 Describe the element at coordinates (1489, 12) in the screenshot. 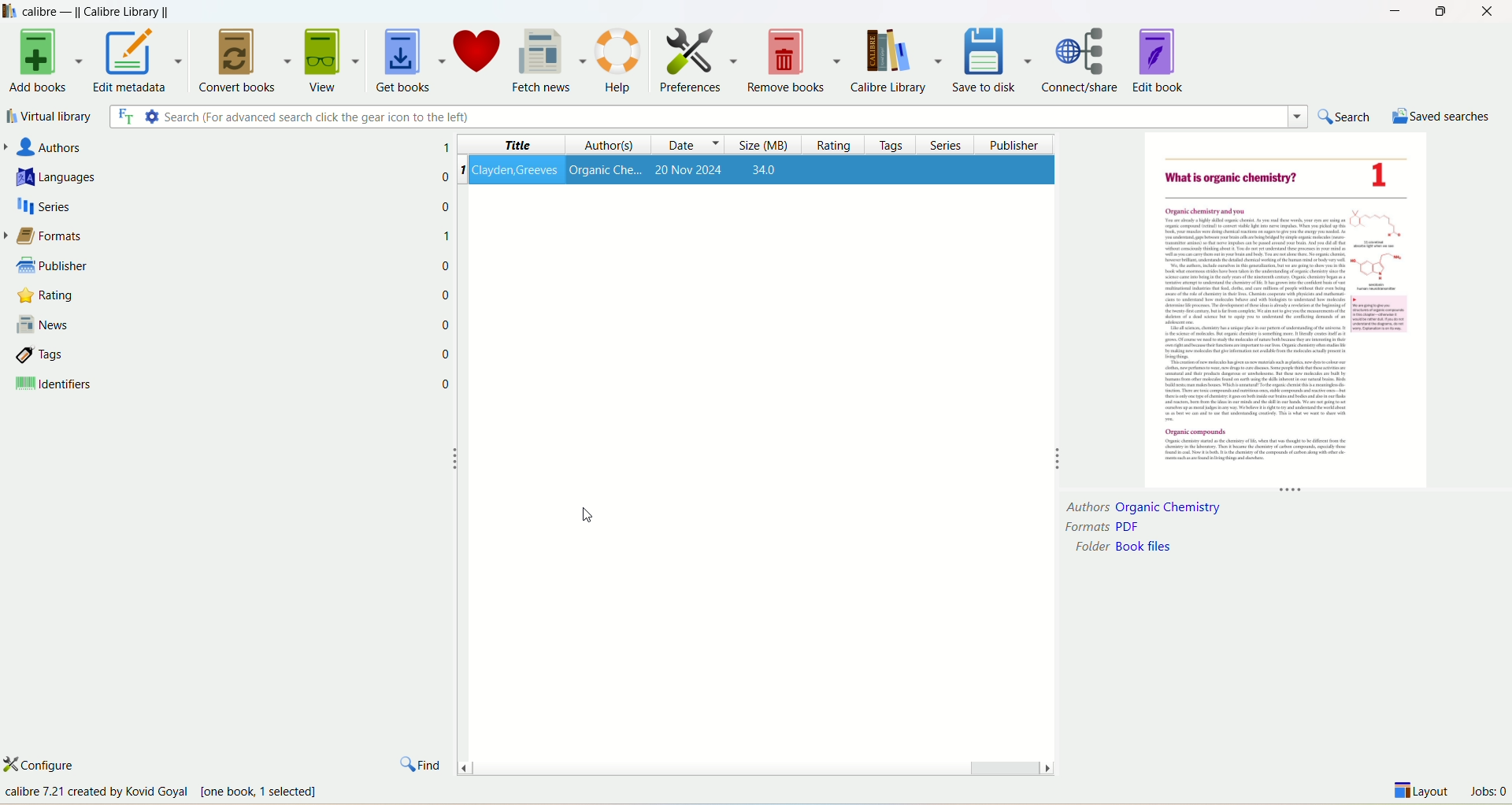

I see `close` at that location.